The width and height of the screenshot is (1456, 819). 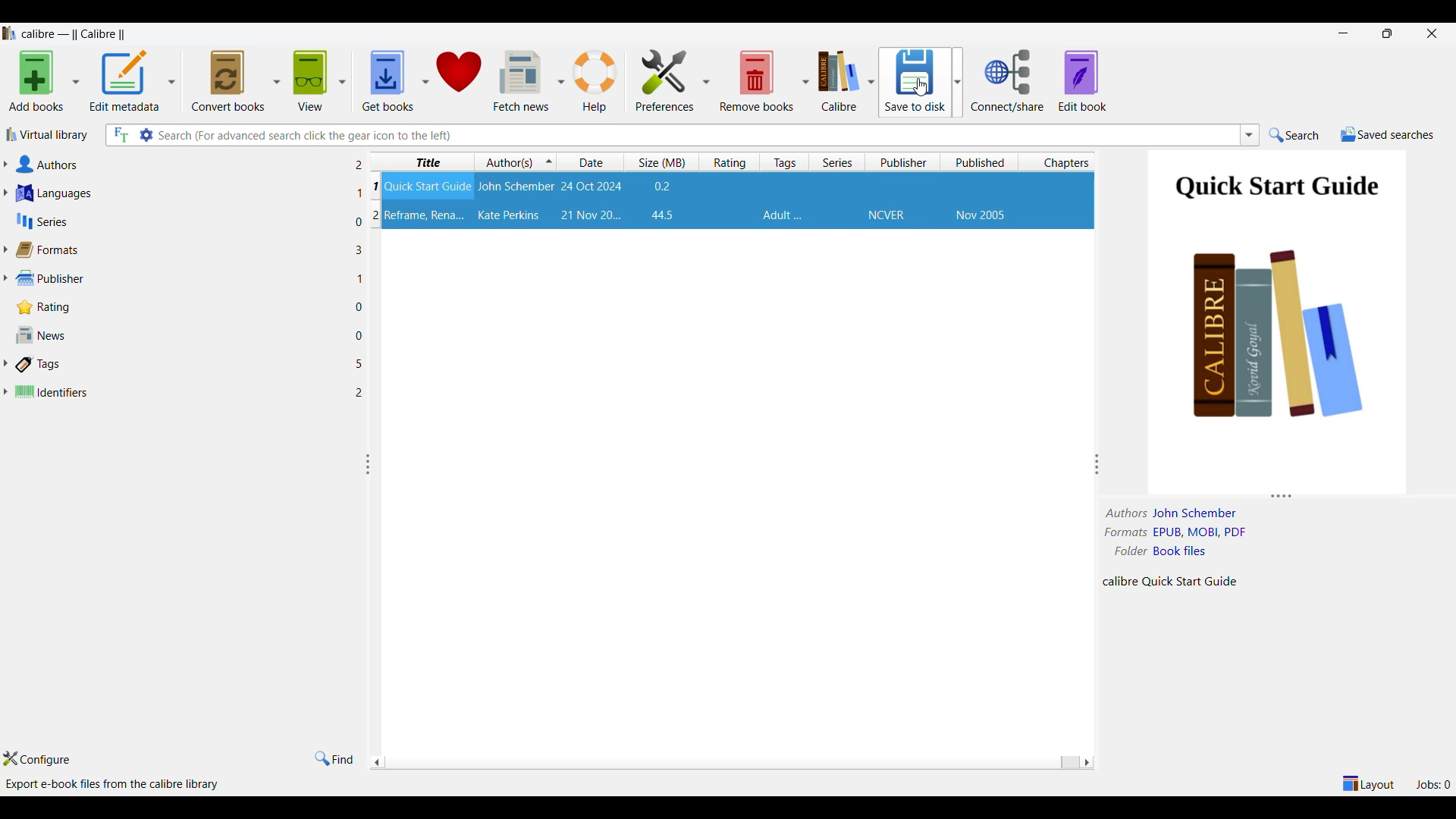 What do you see at coordinates (171, 193) in the screenshot?
I see `Languages` at bounding box center [171, 193].